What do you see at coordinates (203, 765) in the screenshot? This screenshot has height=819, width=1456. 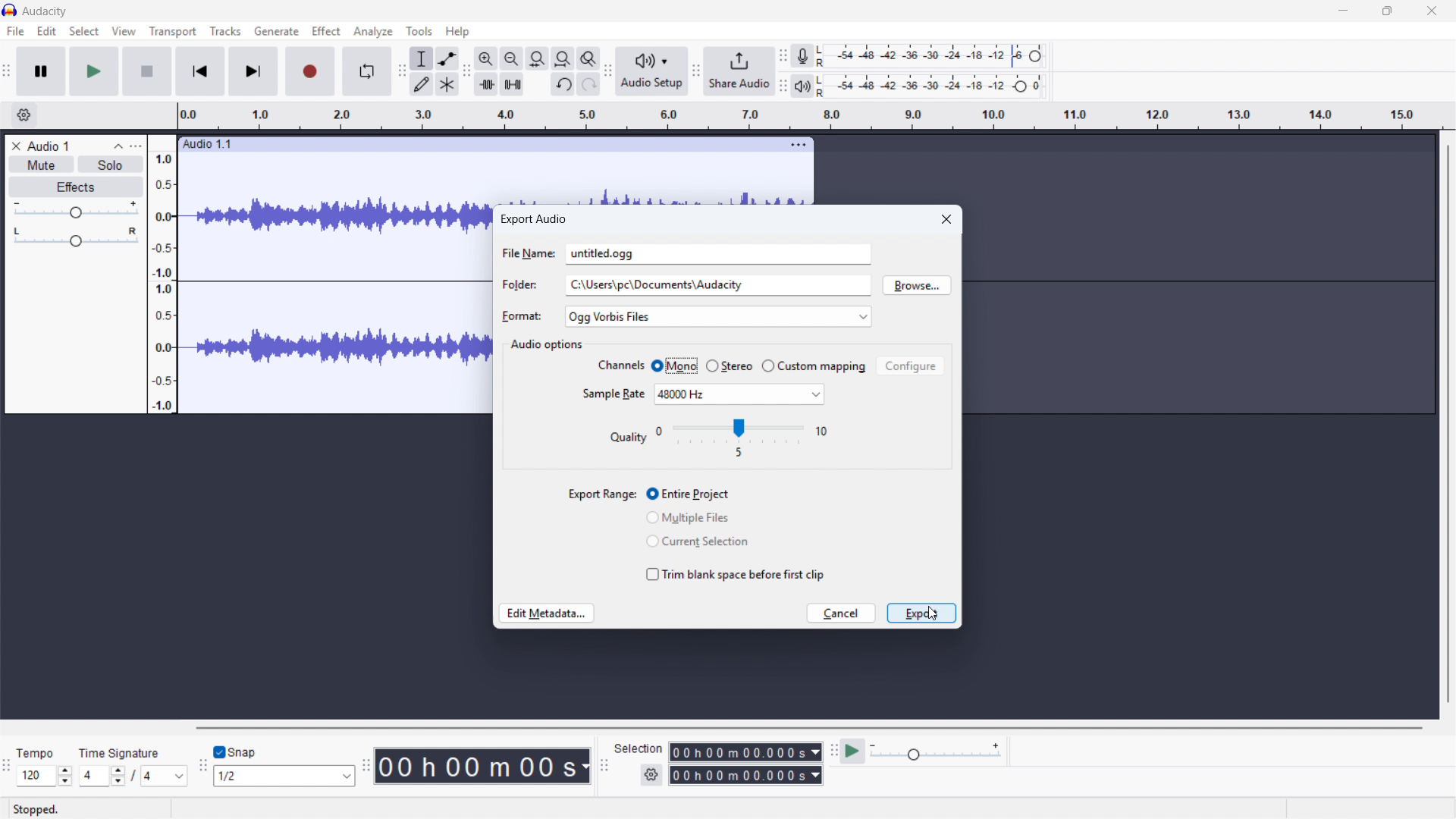 I see `Snapping toolbar ` at bounding box center [203, 765].